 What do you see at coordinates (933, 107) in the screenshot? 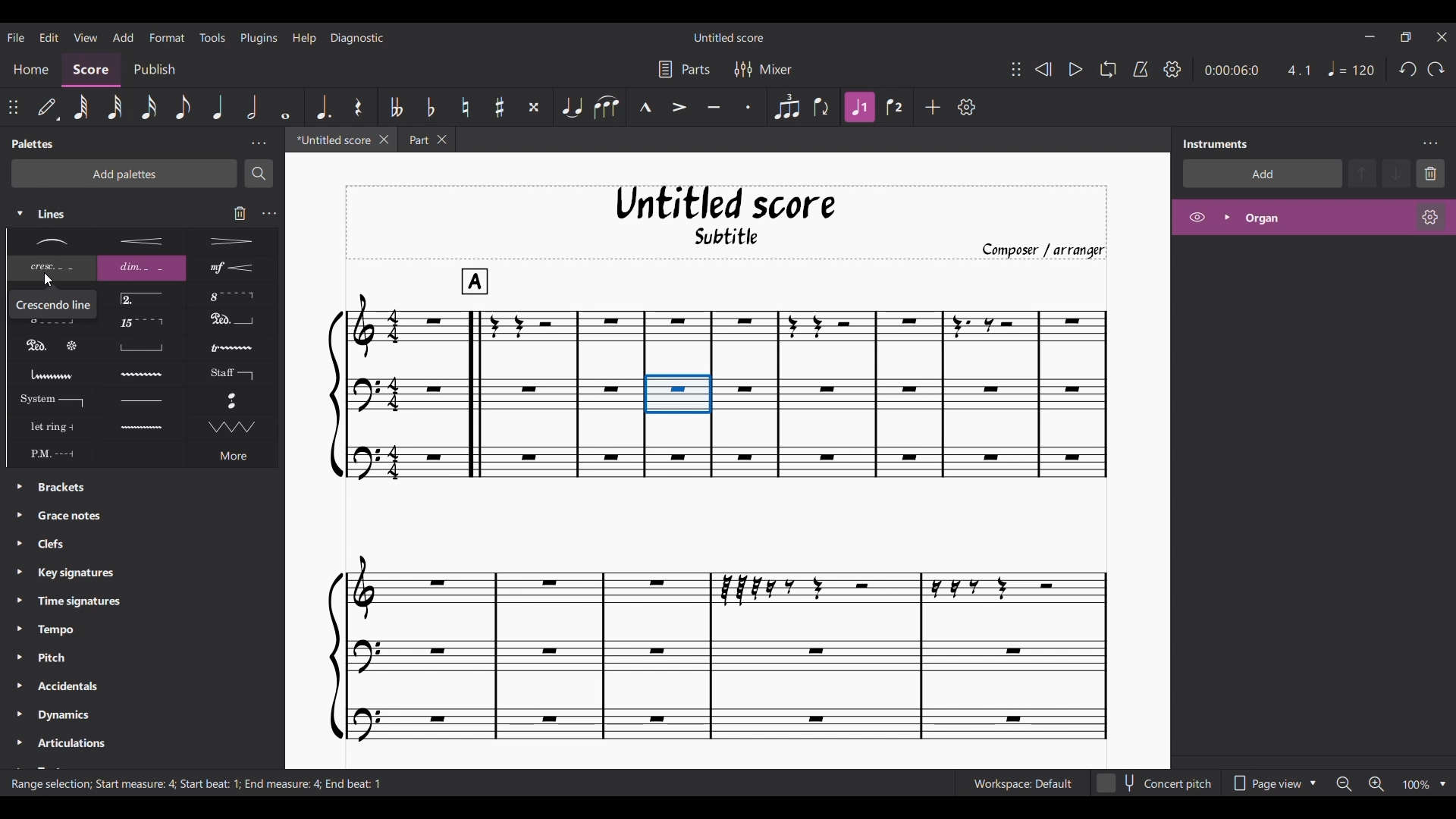
I see `Add` at bounding box center [933, 107].